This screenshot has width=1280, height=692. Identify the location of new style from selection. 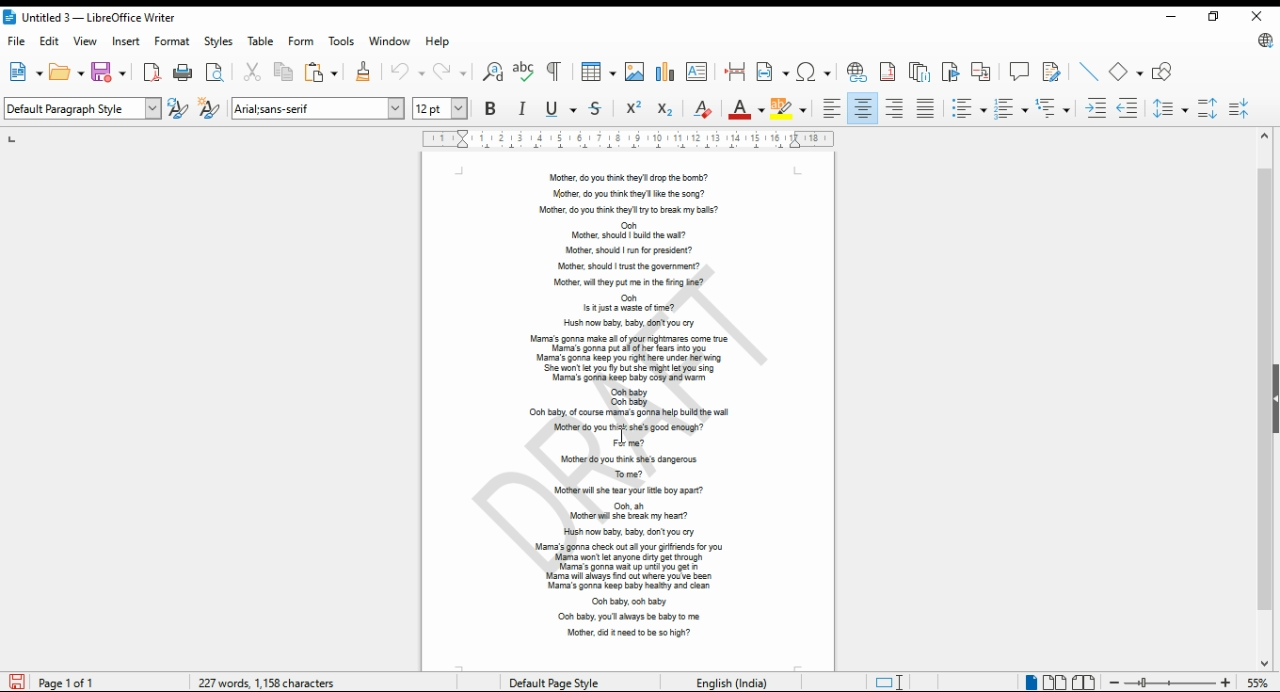
(210, 108).